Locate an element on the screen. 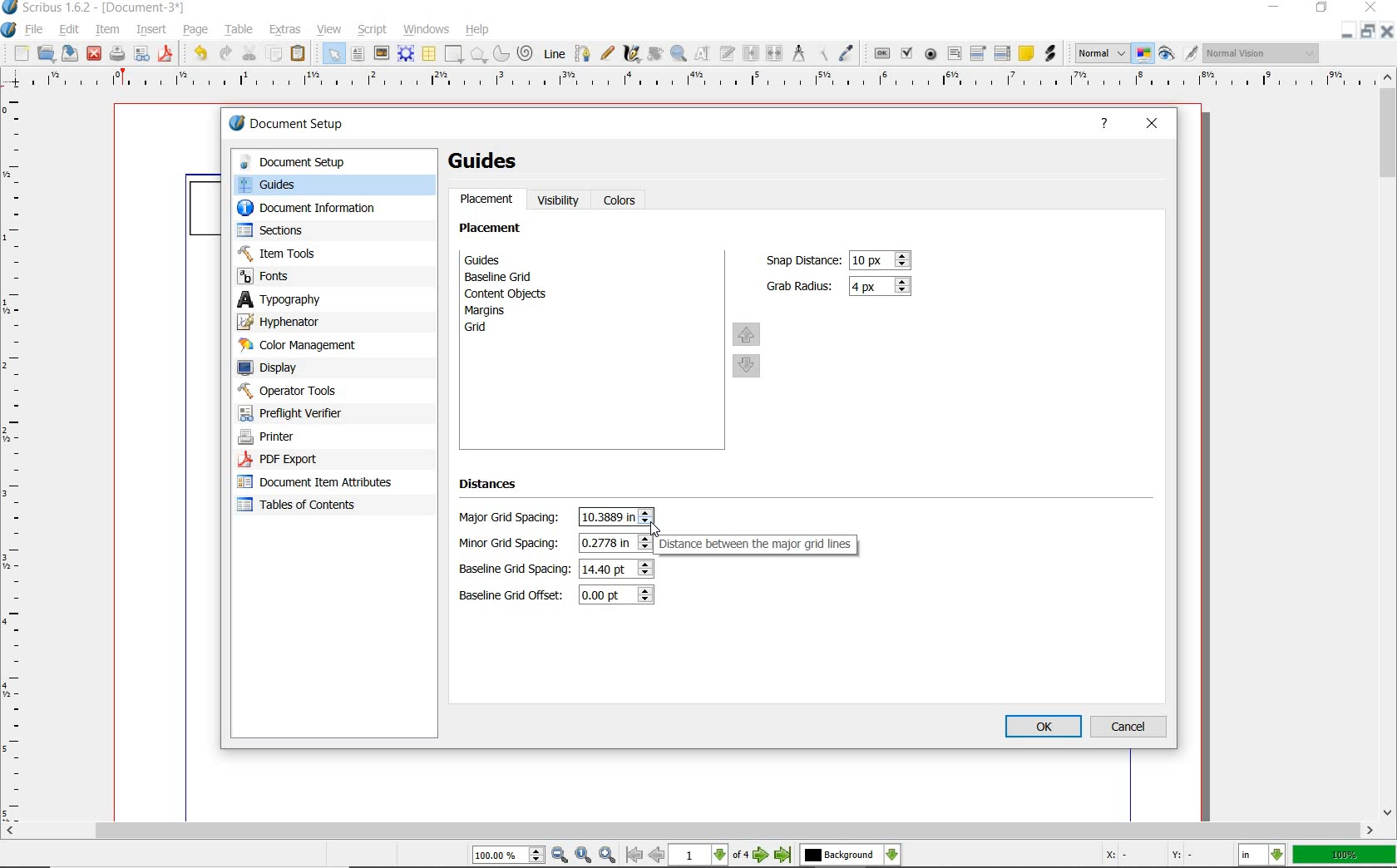 The width and height of the screenshot is (1397, 868). pdf radio button is located at coordinates (932, 54).